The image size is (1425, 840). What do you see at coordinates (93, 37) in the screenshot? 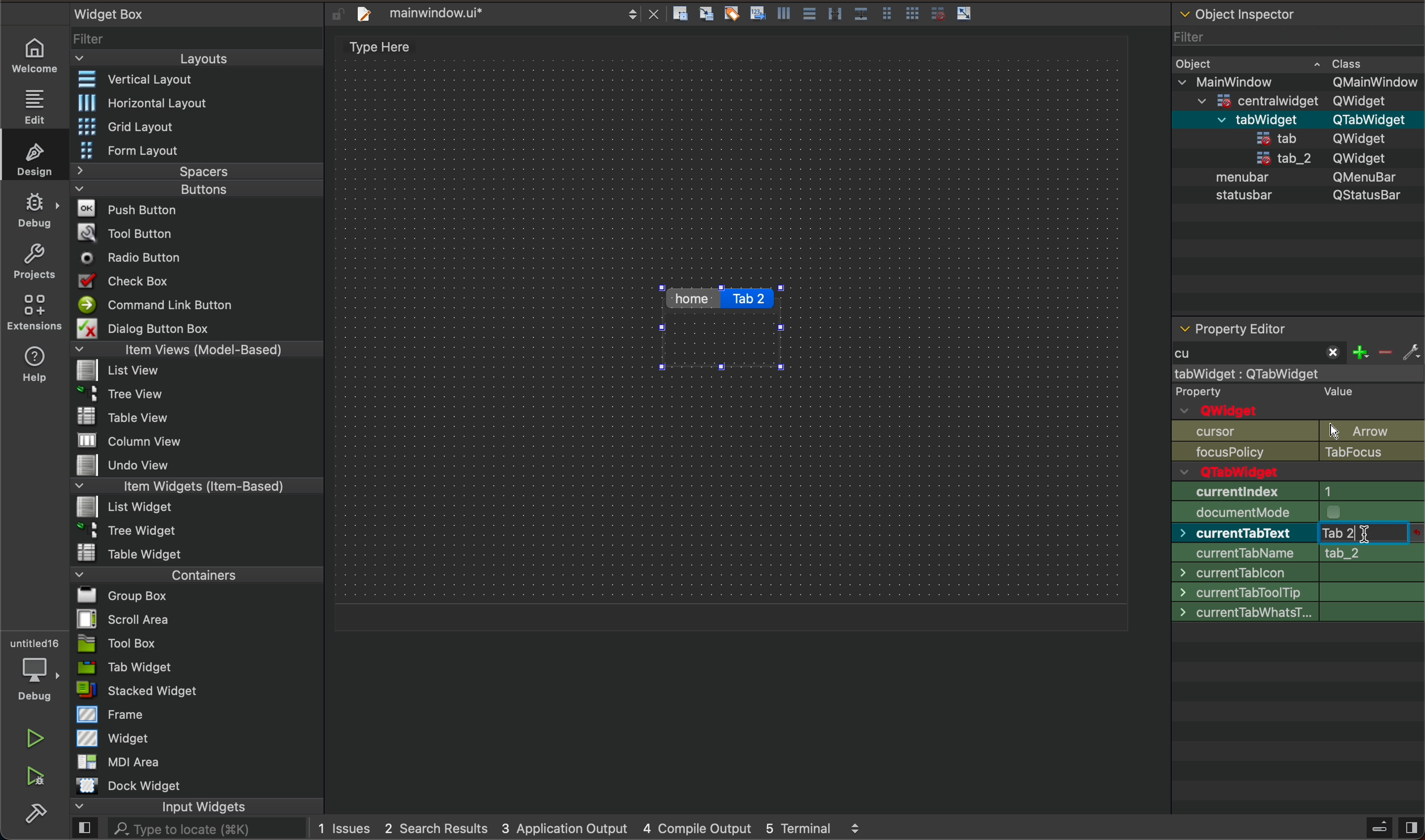
I see `Filter` at bounding box center [93, 37].